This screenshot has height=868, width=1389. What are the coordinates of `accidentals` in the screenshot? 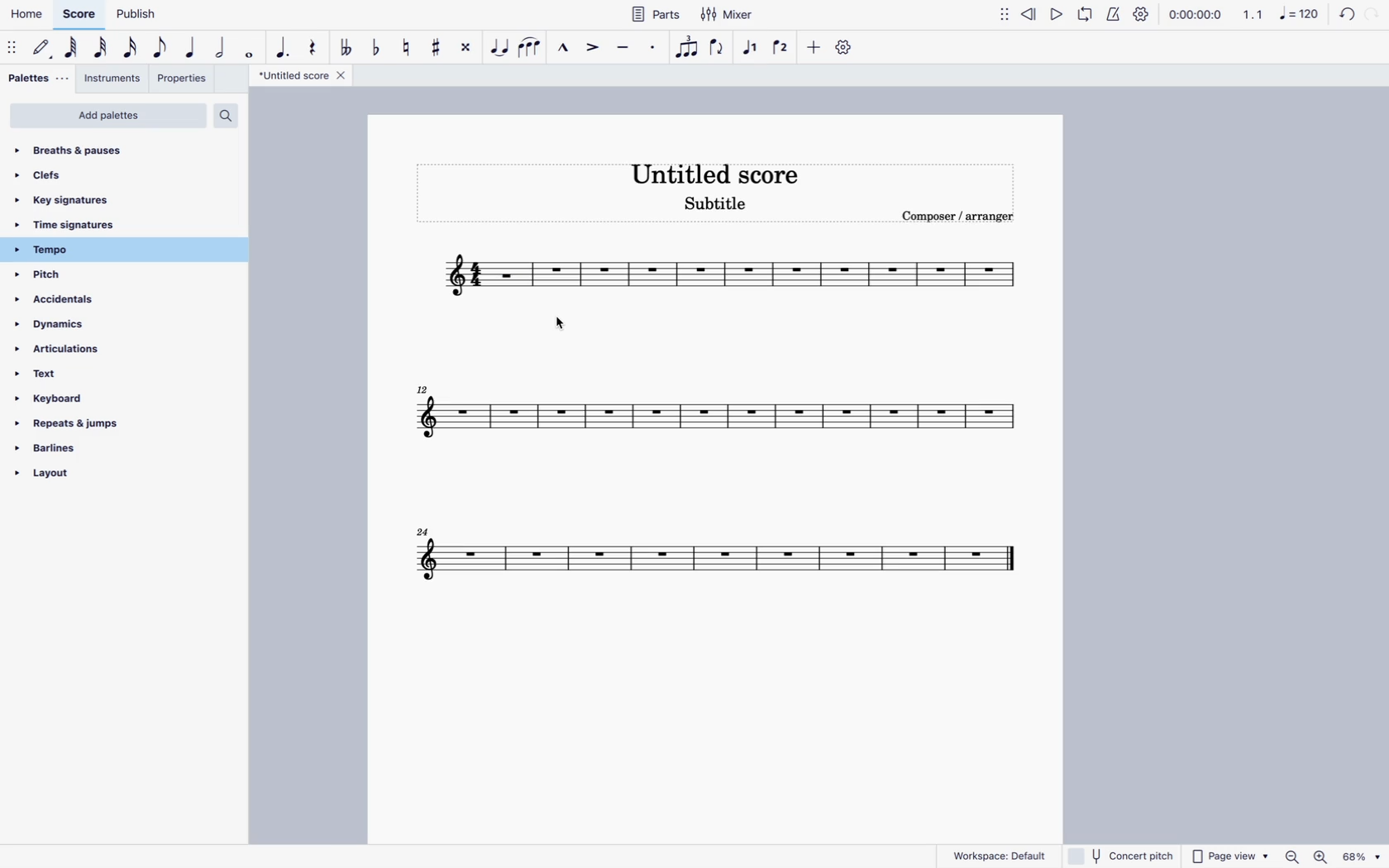 It's located at (84, 301).